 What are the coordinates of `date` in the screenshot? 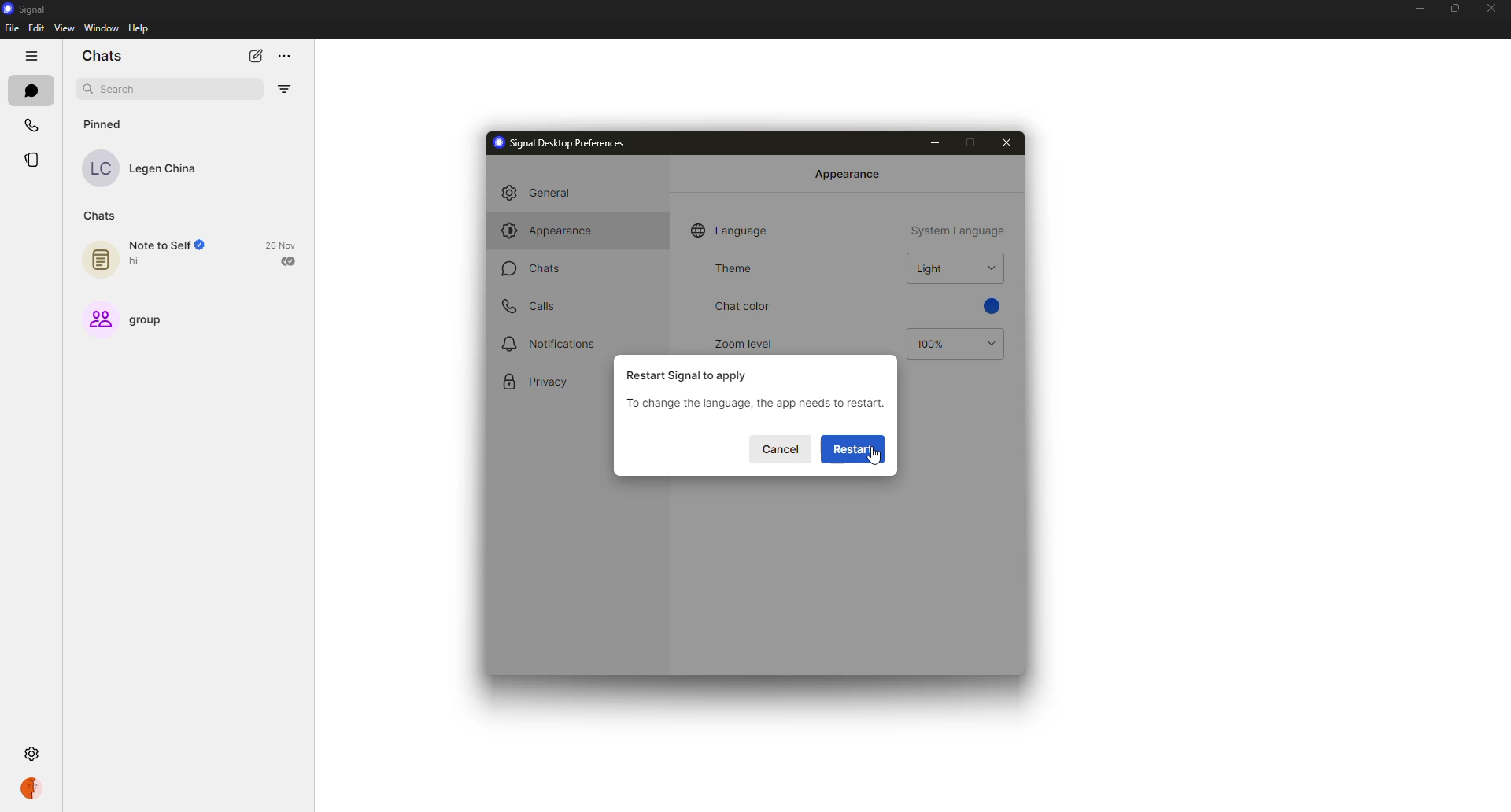 It's located at (281, 244).